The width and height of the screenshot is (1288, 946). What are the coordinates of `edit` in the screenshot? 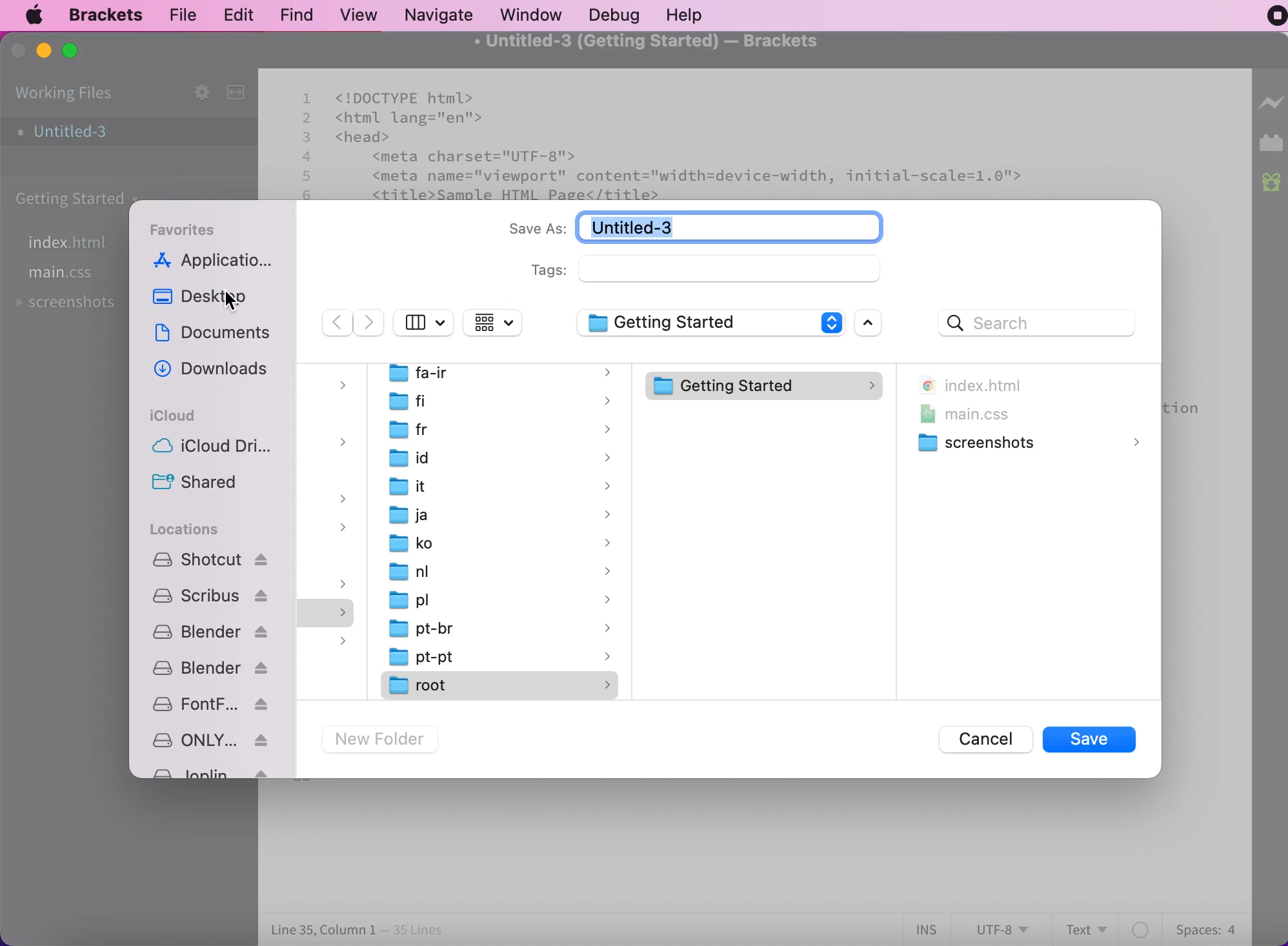 It's located at (241, 13).